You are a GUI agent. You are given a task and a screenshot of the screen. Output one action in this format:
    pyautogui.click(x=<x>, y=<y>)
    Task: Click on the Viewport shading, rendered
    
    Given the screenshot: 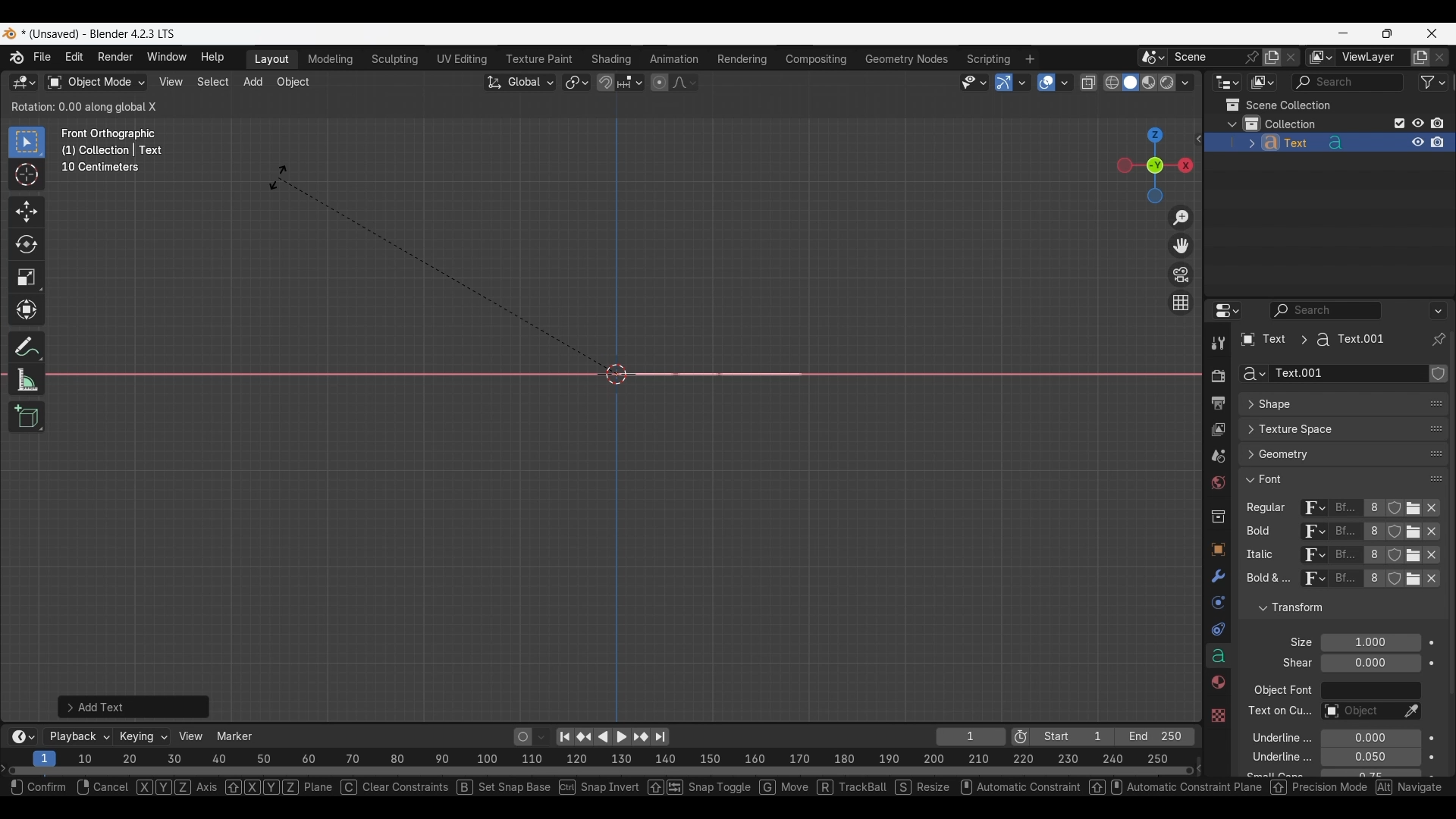 What is the action you would take?
    pyautogui.click(x=1166, y=82)
    